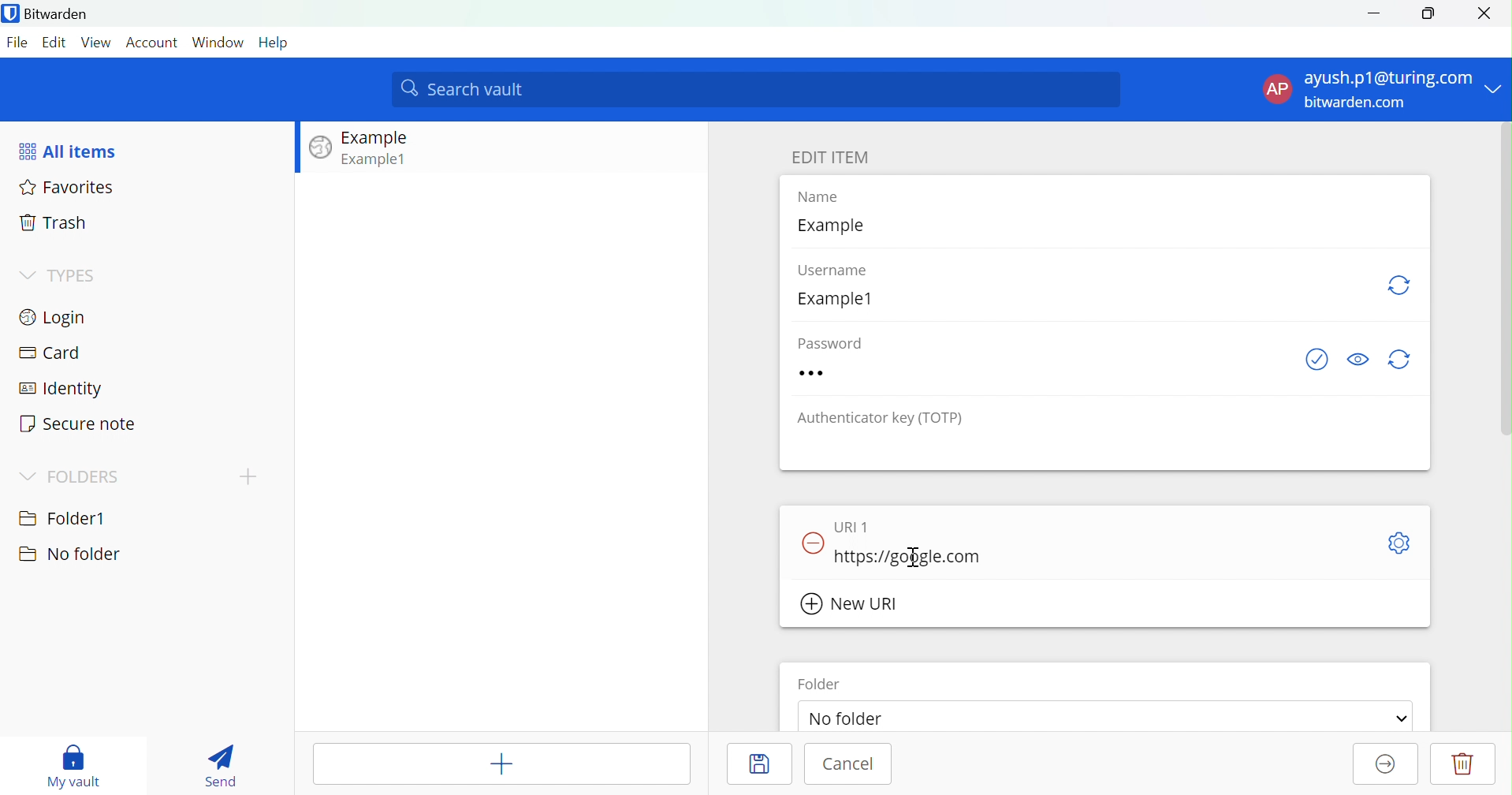 Image resolution: width=1512 pixels, height=795 pixels. Describe the element at coordinates (838, 342) in the screenshot. I see `Password` at that location.